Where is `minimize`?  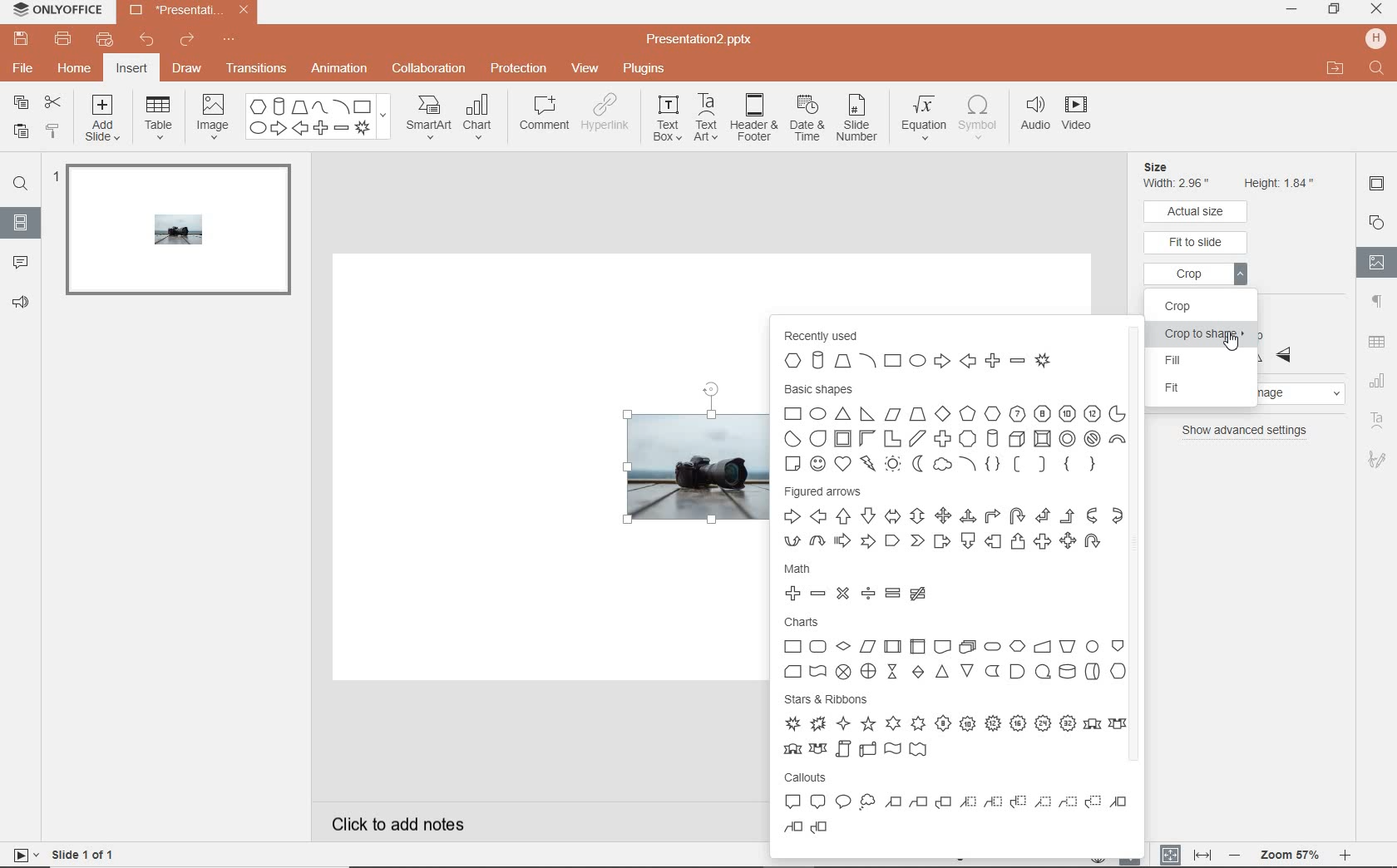
minimize is located at coordinates (1295, 11).